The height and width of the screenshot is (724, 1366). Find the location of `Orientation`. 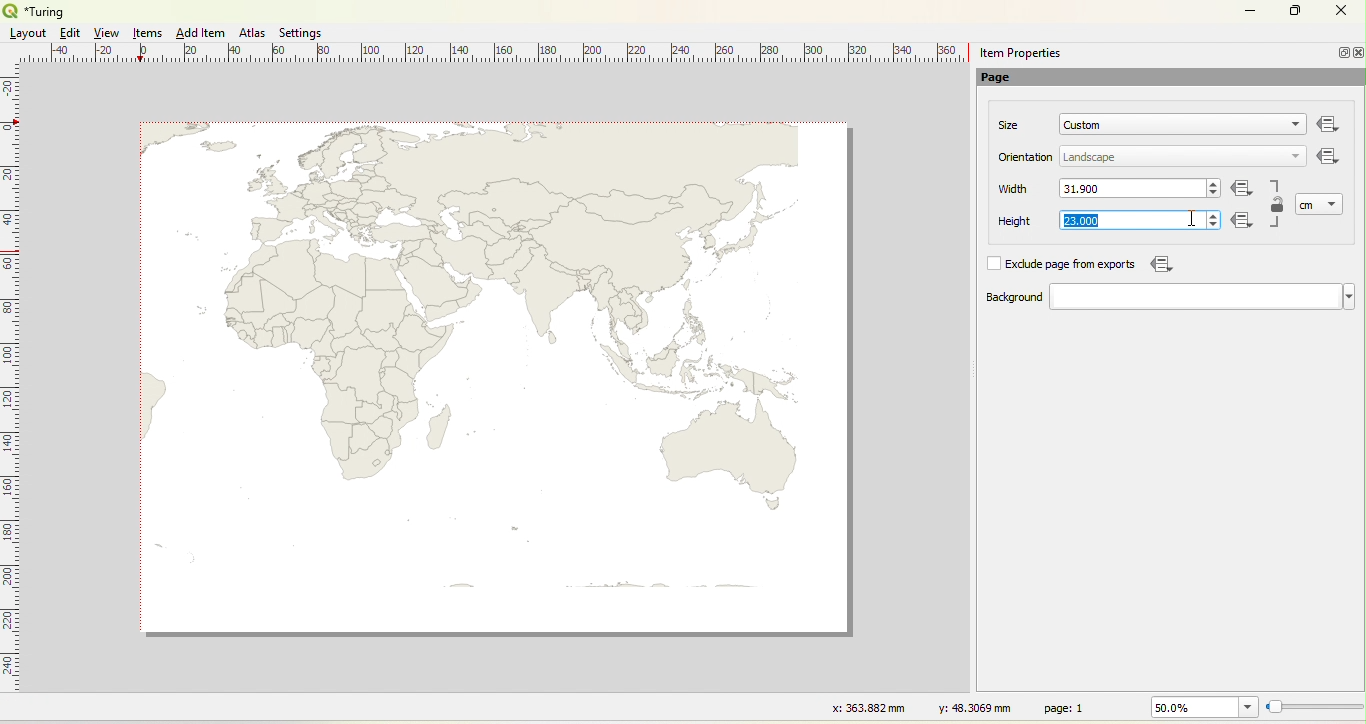

Orientation is located at coordinates (1027, 157).